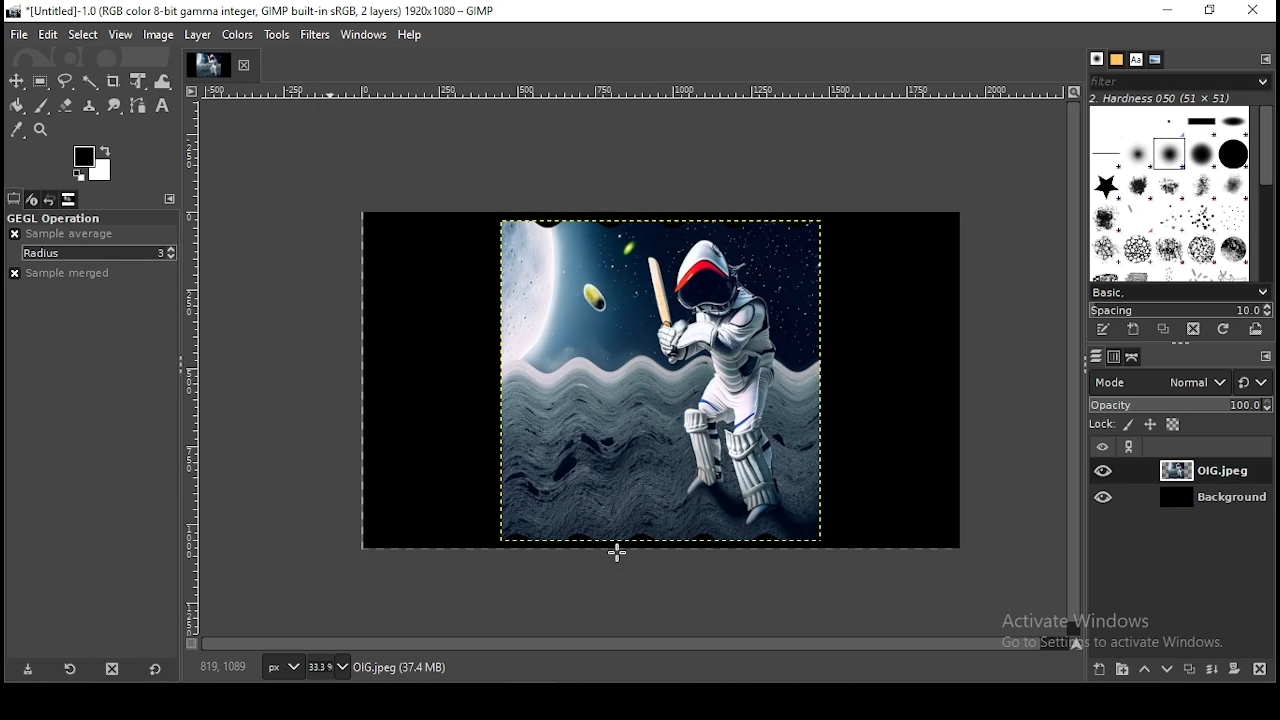 The image size is (1280, 720). What do you see at coordinates (1196, 497) in the screenshot?
I see `layer 1` at bounding box center [1196, 497].